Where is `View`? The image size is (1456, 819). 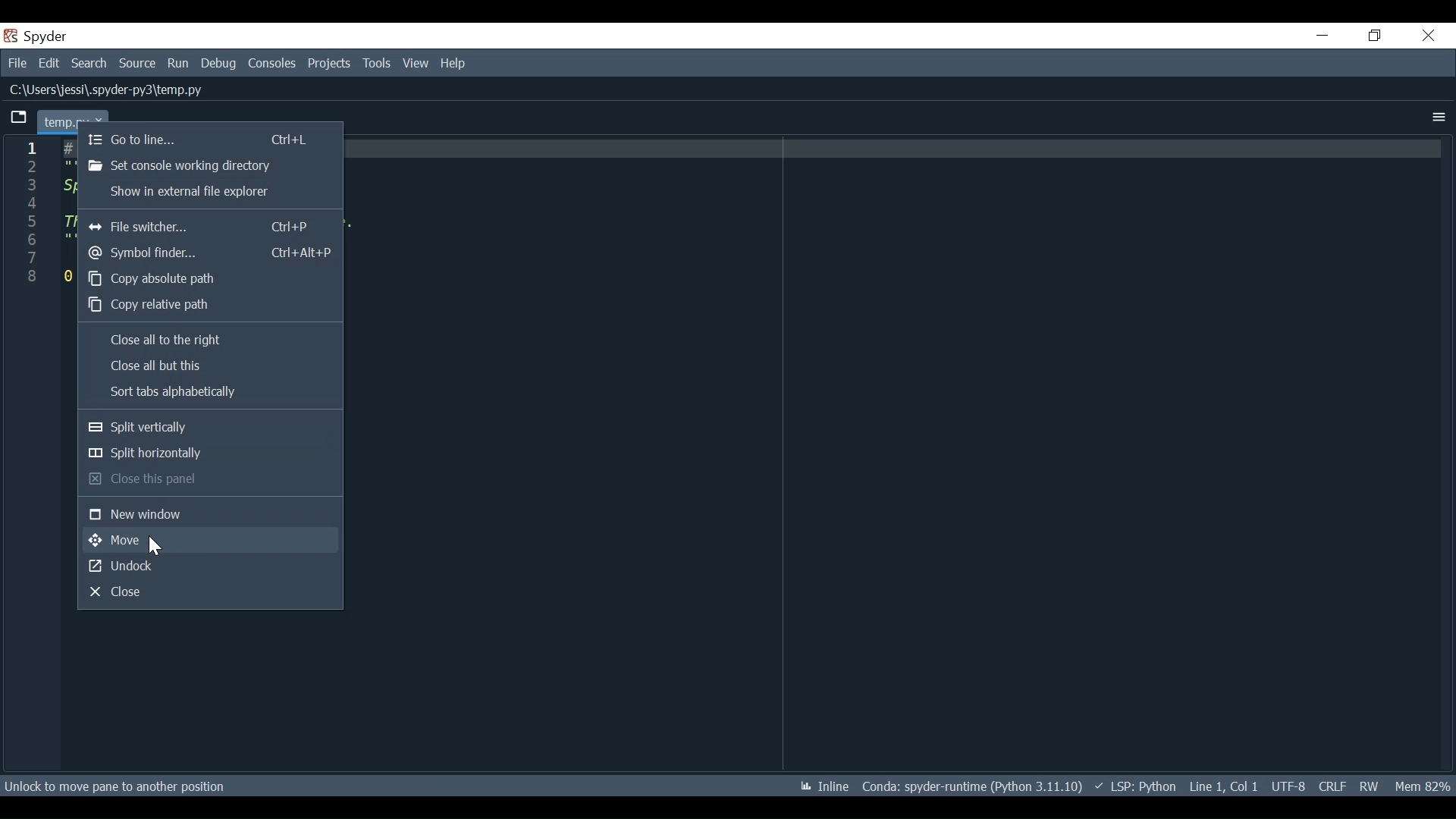
View is located at coordinates (416, 64).